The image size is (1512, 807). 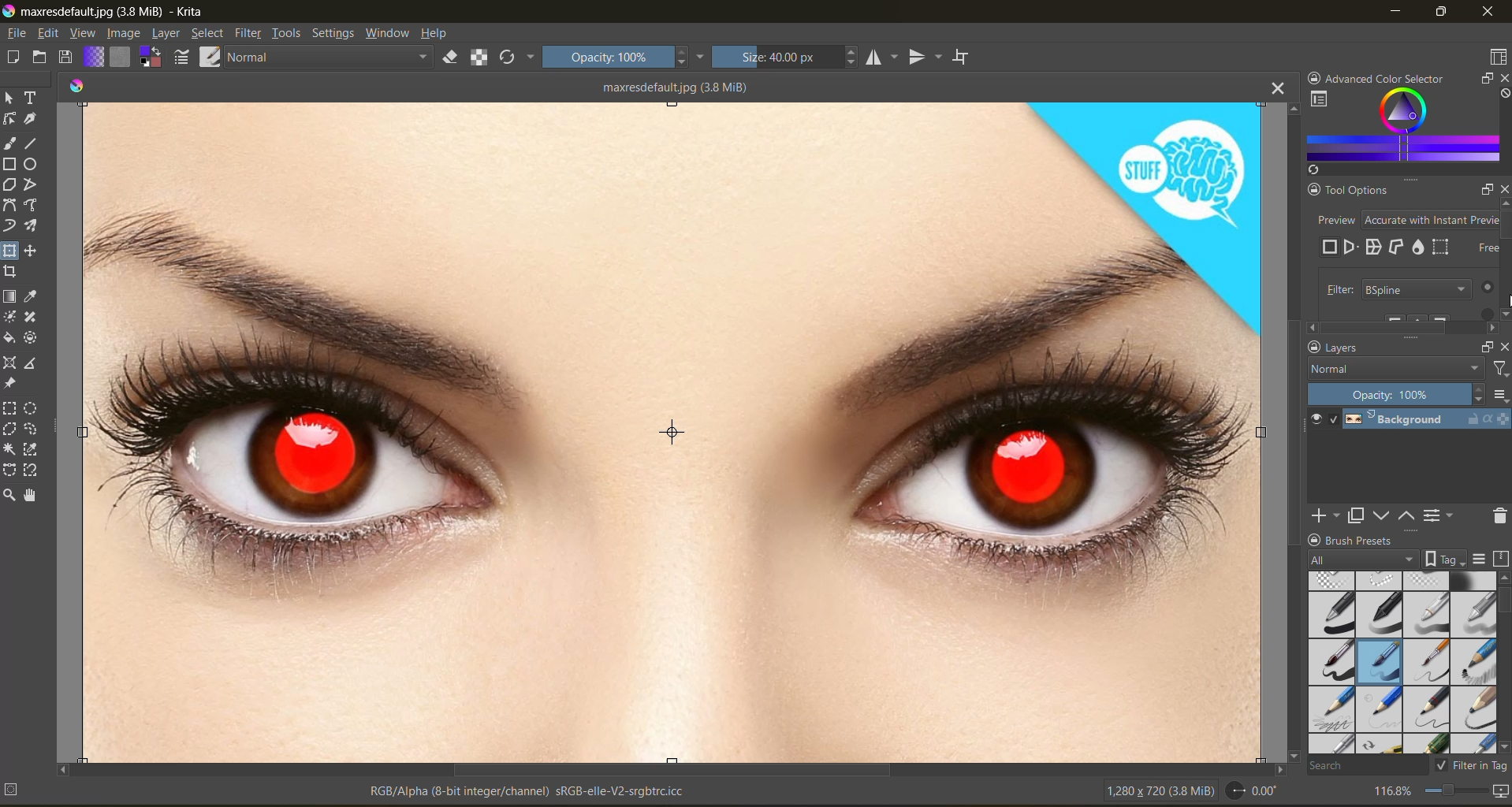 What do you see at coordinates (1487, 347) in the screenshot?
I see `float docker` at bounding box center [1487, 347].